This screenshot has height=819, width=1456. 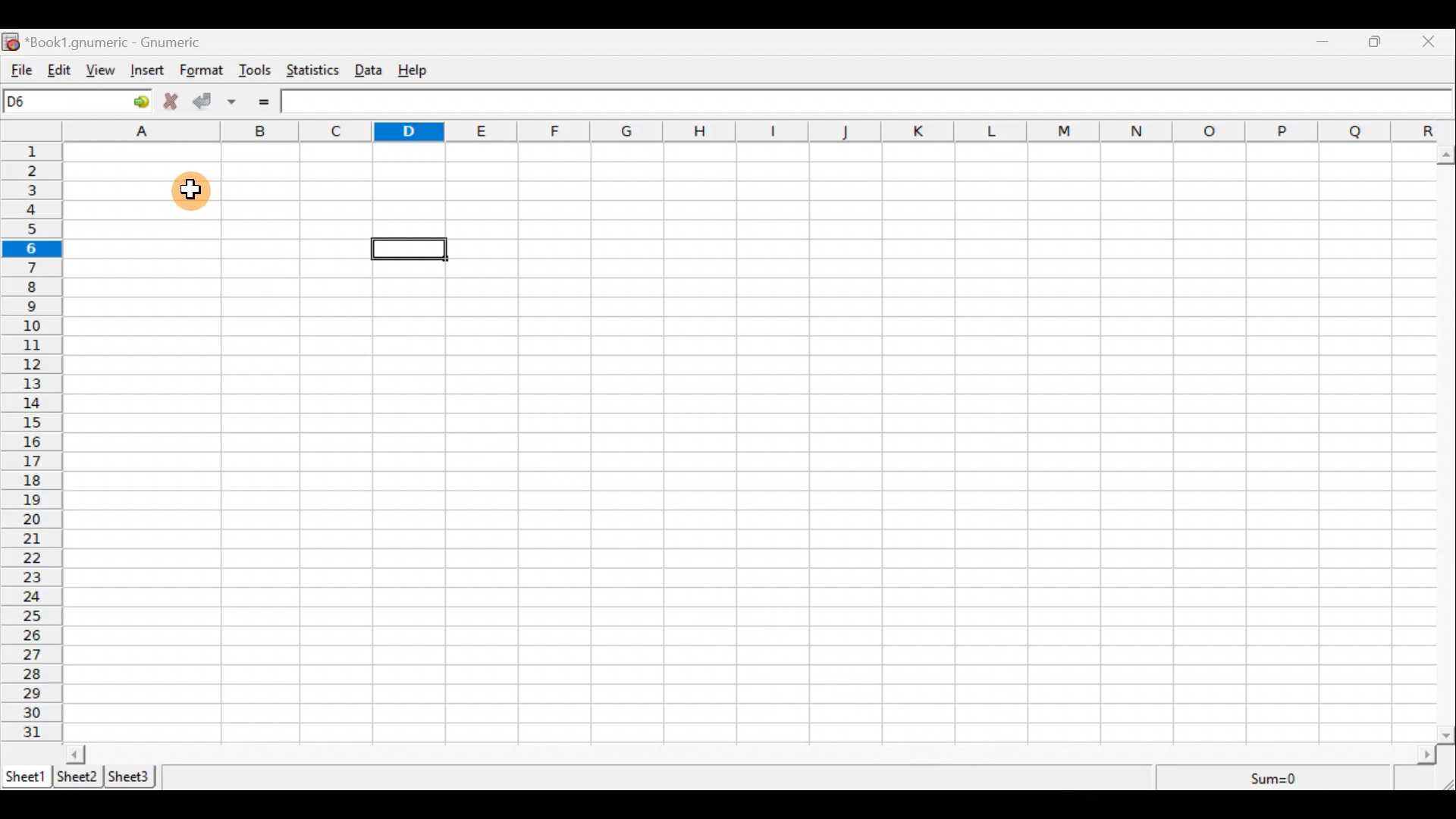 What do you see at coordinates (1426, 755) in the screenshot?
I see `scroll right` at bounding box center [1426, 755].